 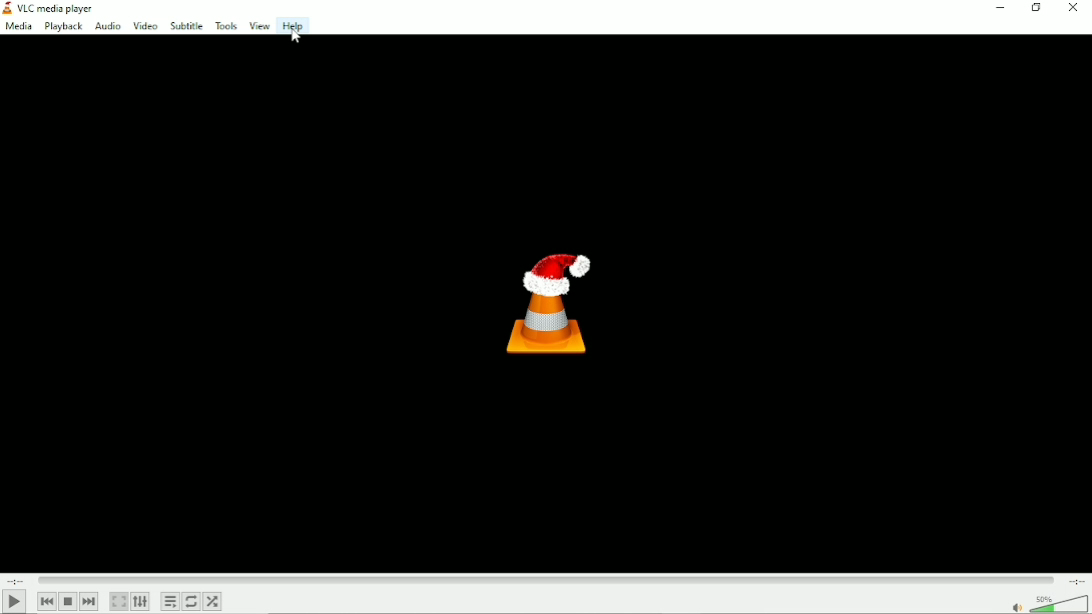 What do you see at coordinates (140, 601) in the screenshot?
I see `Show extended settings` at bounding box center [140, 601].